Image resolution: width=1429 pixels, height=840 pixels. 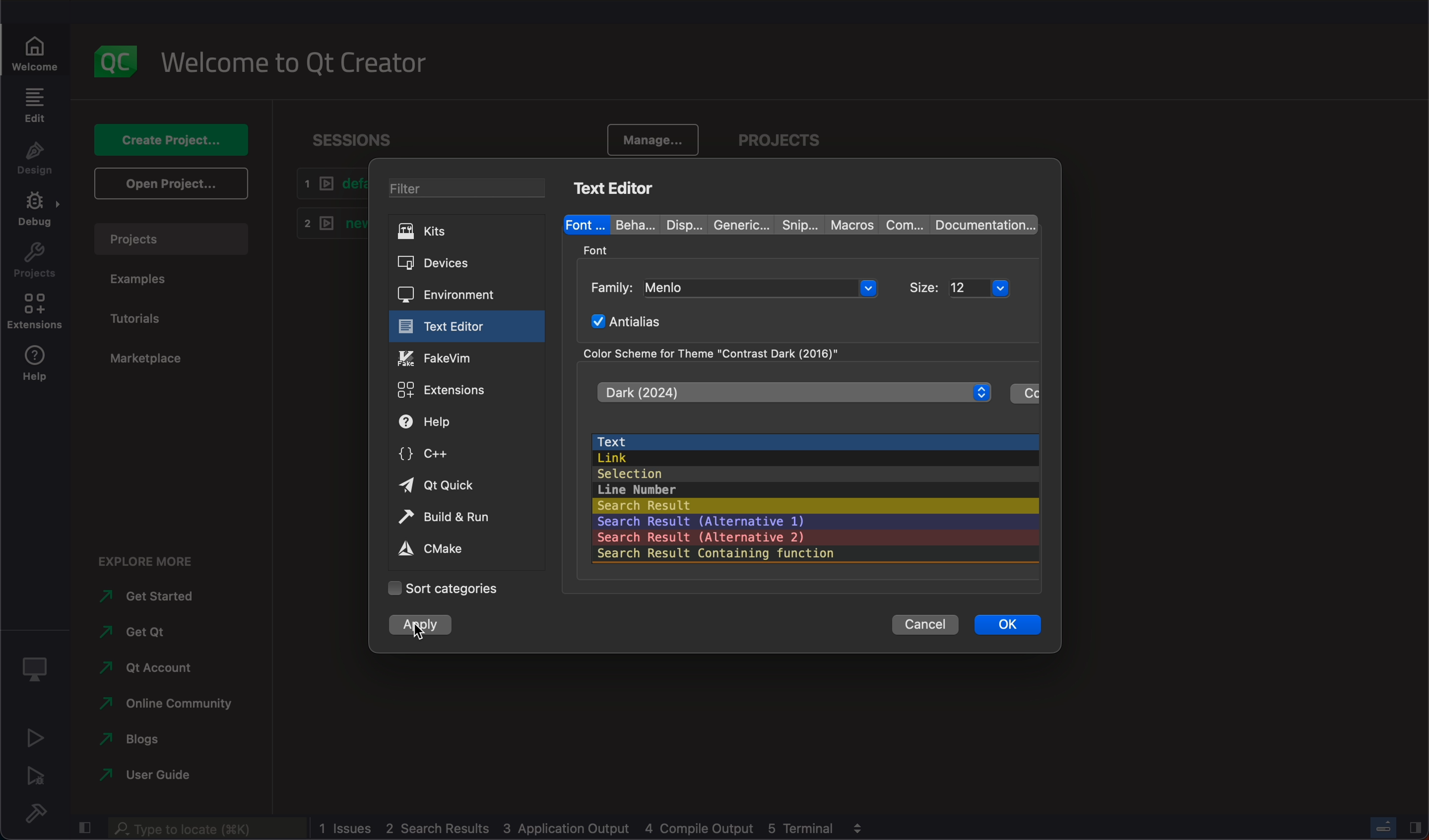 What do you see at coordinates (848, 223) in the screenshot?
I see `macros` at bounding box center [848, 223].